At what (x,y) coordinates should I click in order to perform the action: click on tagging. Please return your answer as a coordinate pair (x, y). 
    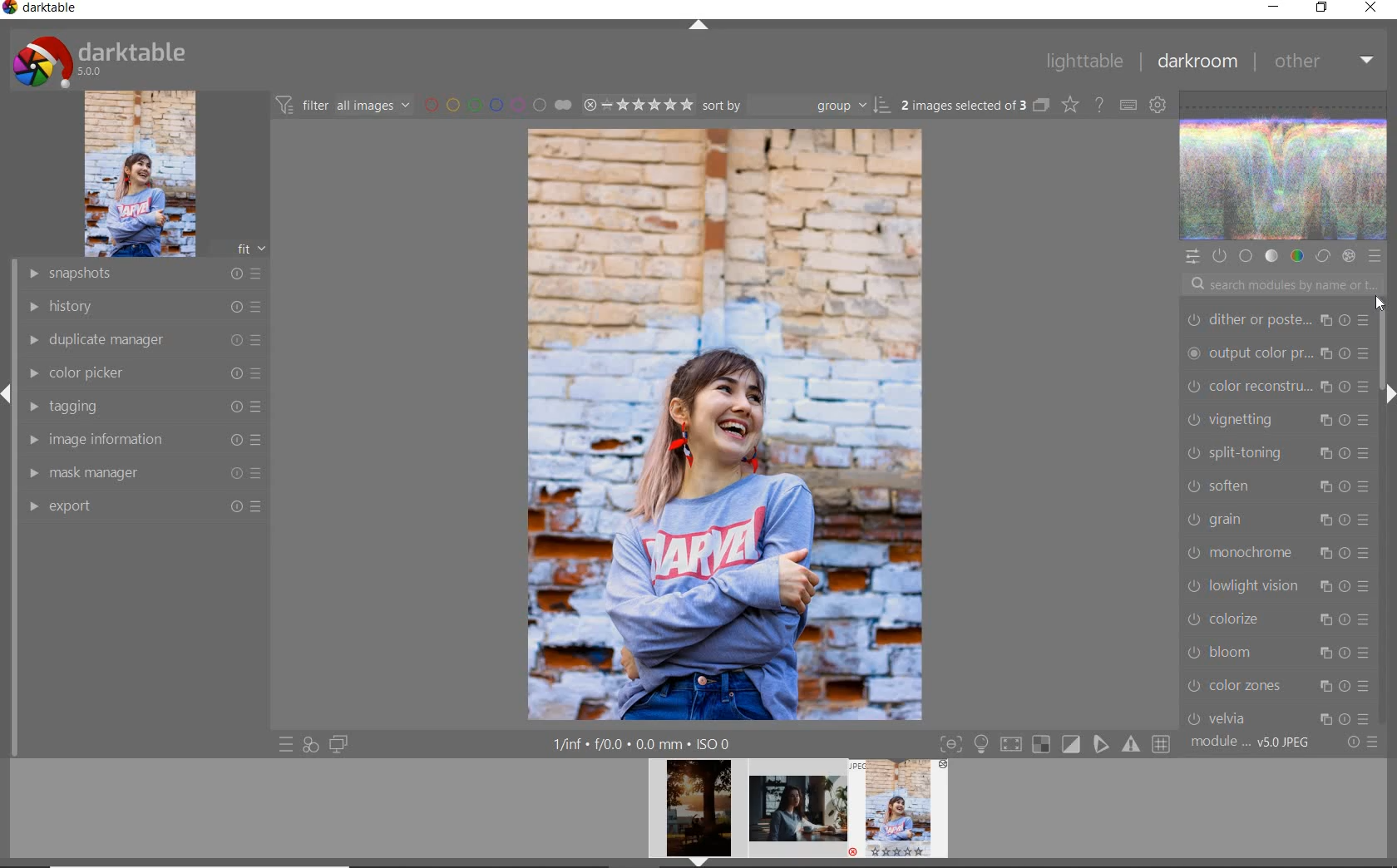
    Looking at the image, I should click on (140, 405).